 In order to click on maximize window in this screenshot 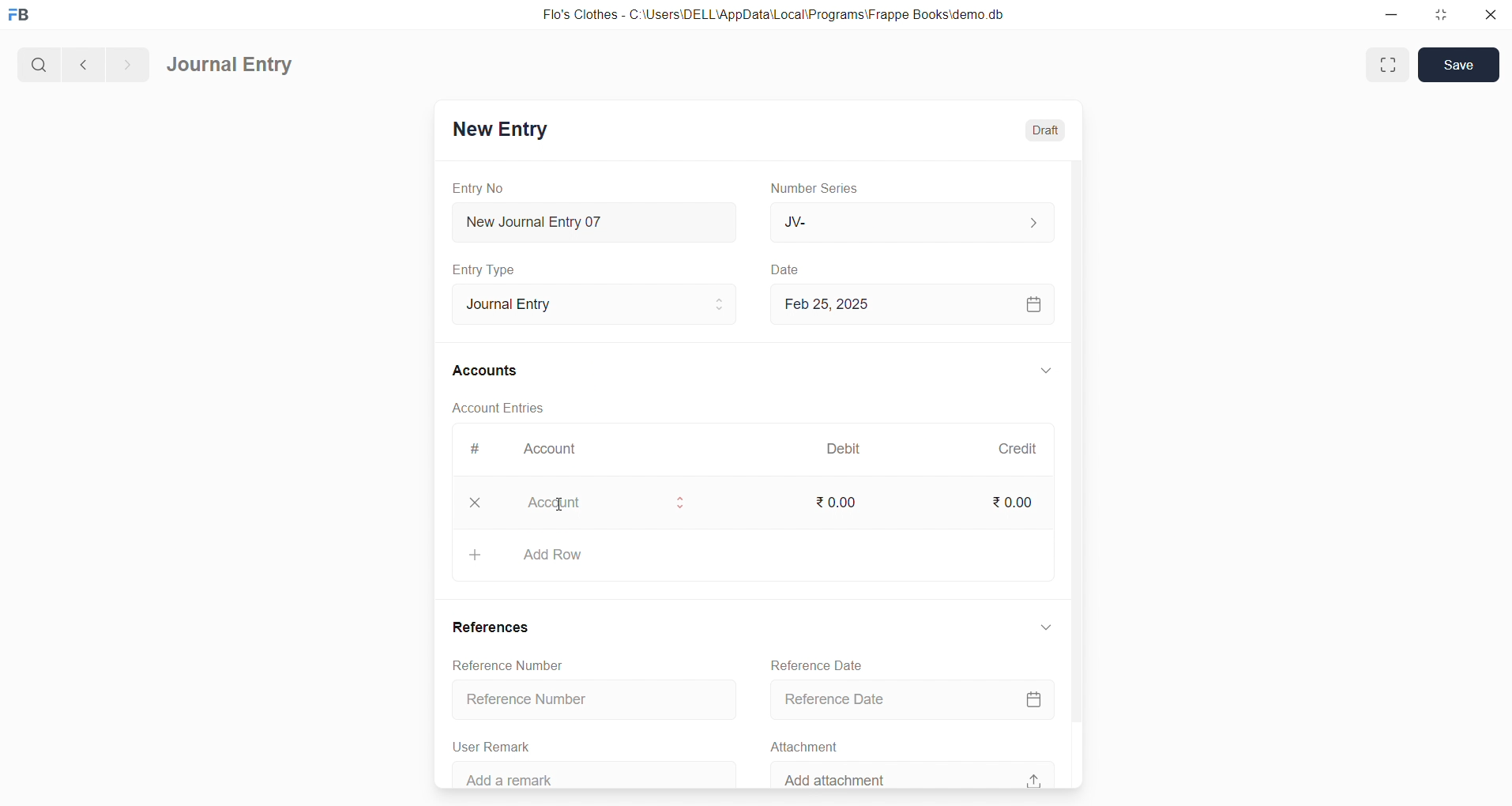, I will do `click(1390, 65)`.